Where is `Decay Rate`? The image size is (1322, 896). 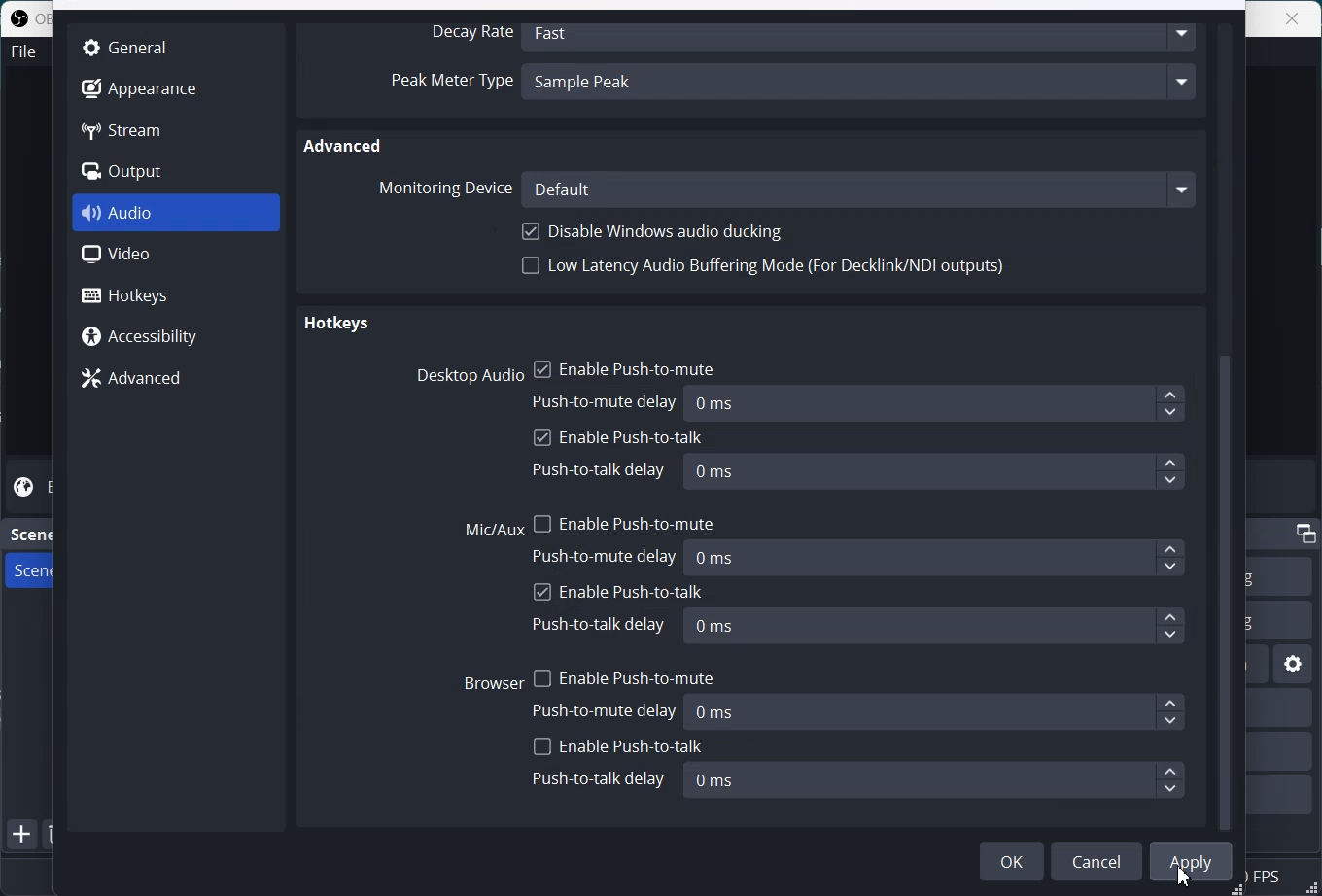 Decay Rate is located at coordinates (468, 33).